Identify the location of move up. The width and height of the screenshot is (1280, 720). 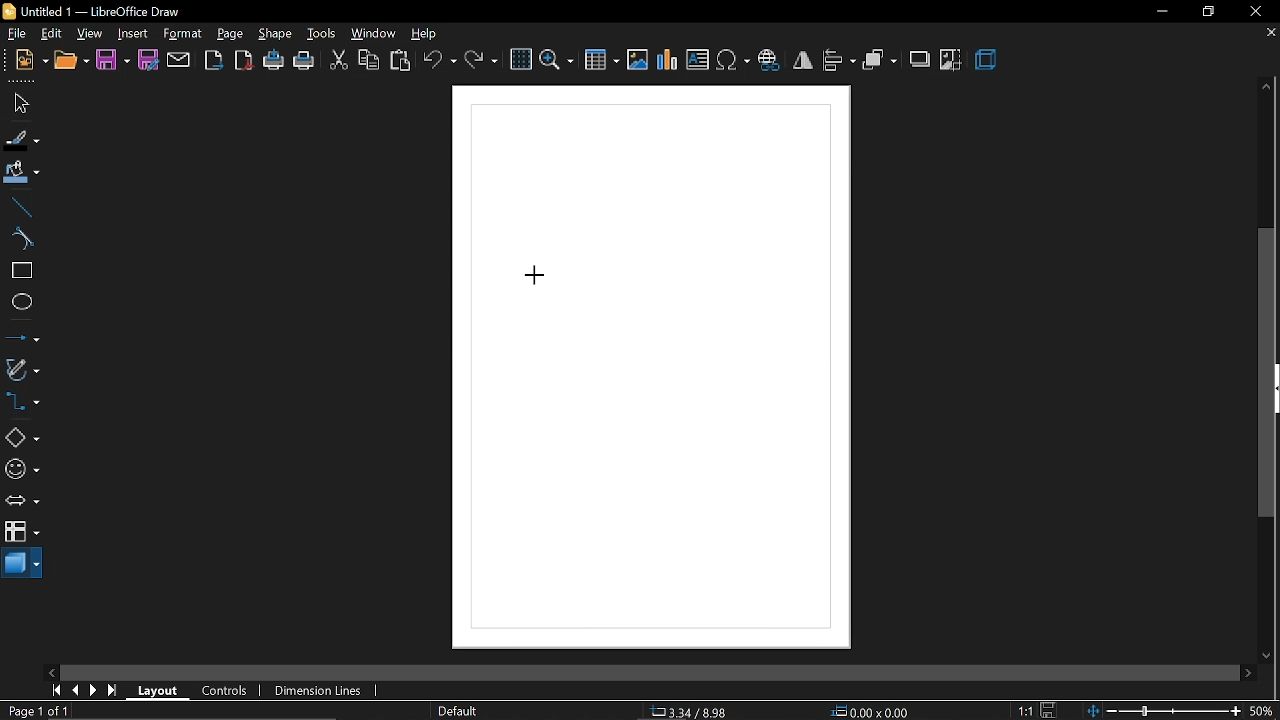
(1265, 85).